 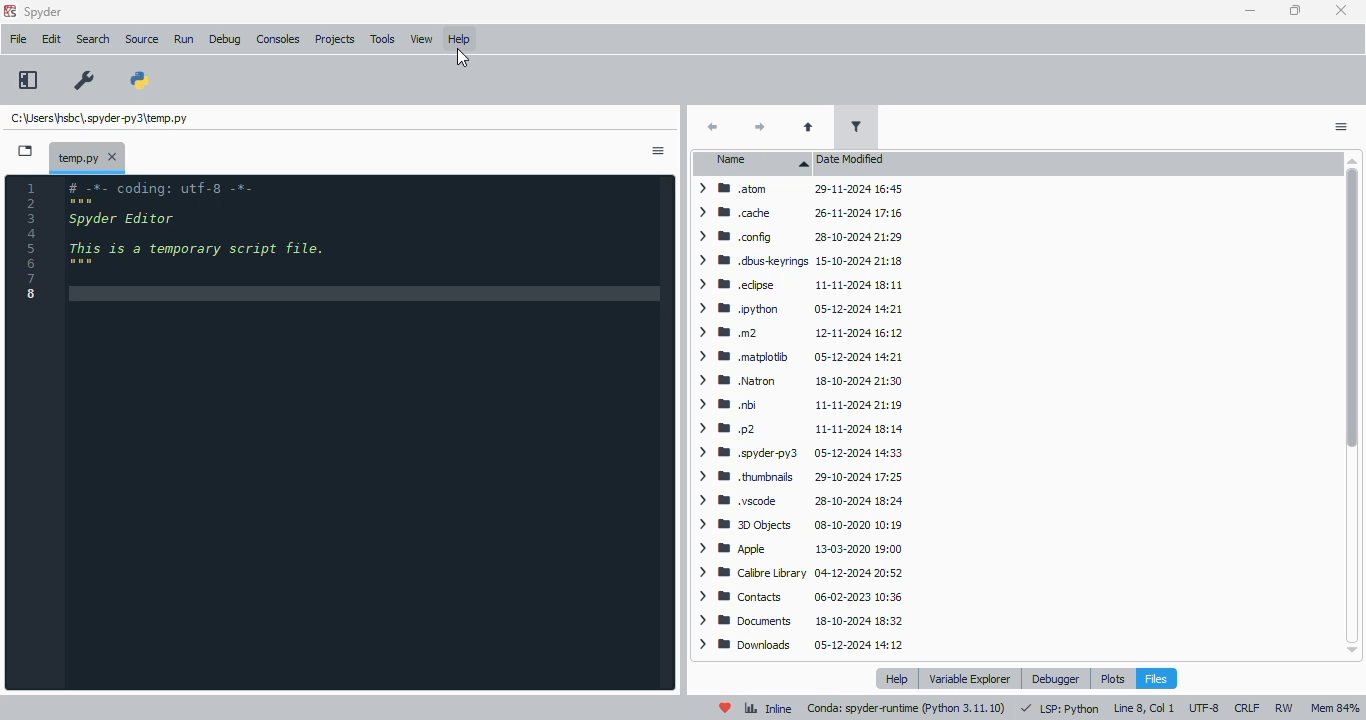 What do you see at coordinates (797, 477) in the screenshot?
I see `> WM thumbnails 29-10-2024 17:25` at bounding box center [797, 477].